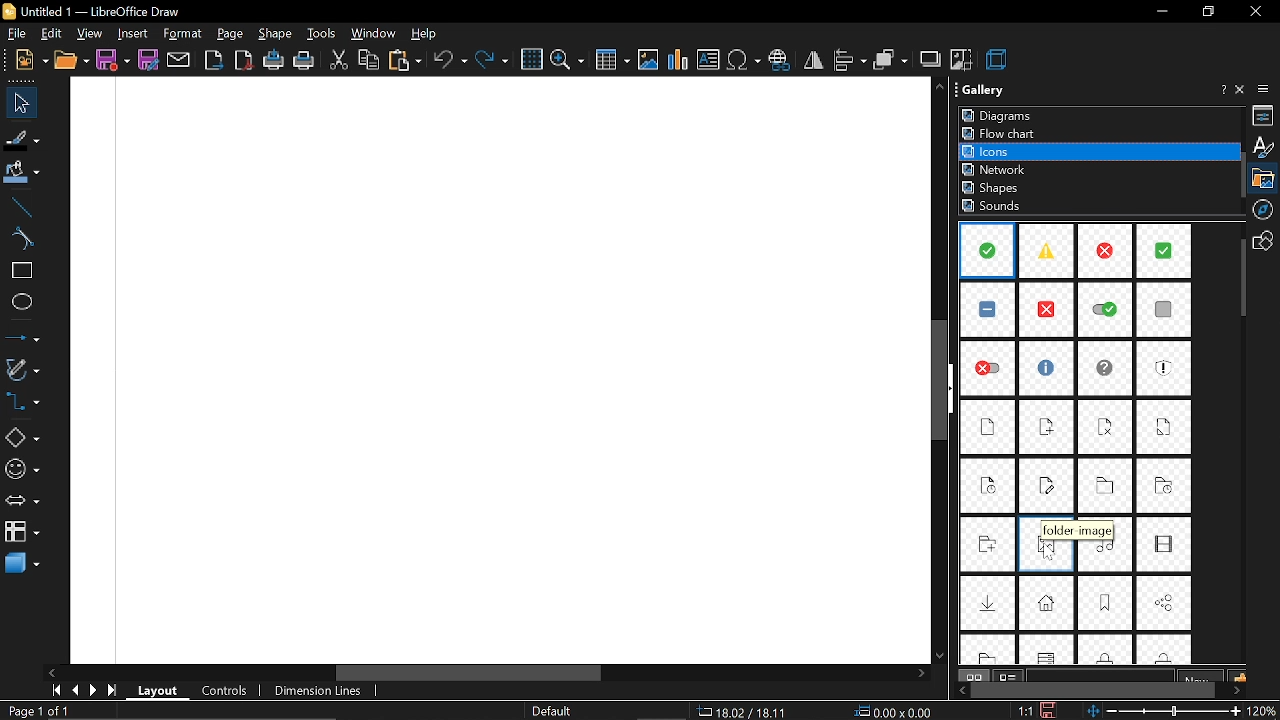 The image size is (1280, 720). What do you see at coordinates (746, 712) in the screenshot?
I see `18.02/18.11` at bounding box center [746, 712].